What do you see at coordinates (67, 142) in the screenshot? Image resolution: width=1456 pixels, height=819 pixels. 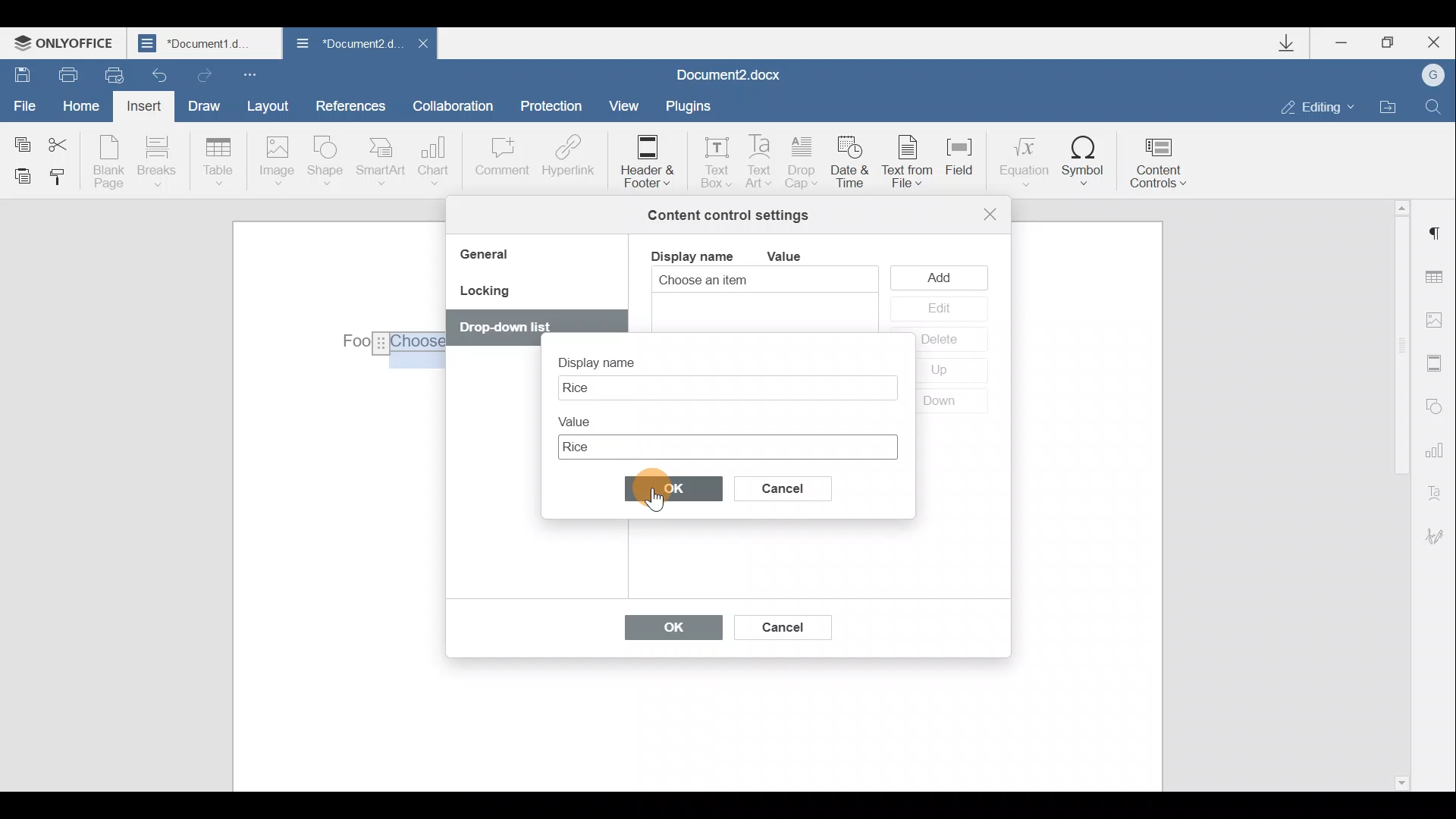 I see `Cut` at bounding box center [67, 142].